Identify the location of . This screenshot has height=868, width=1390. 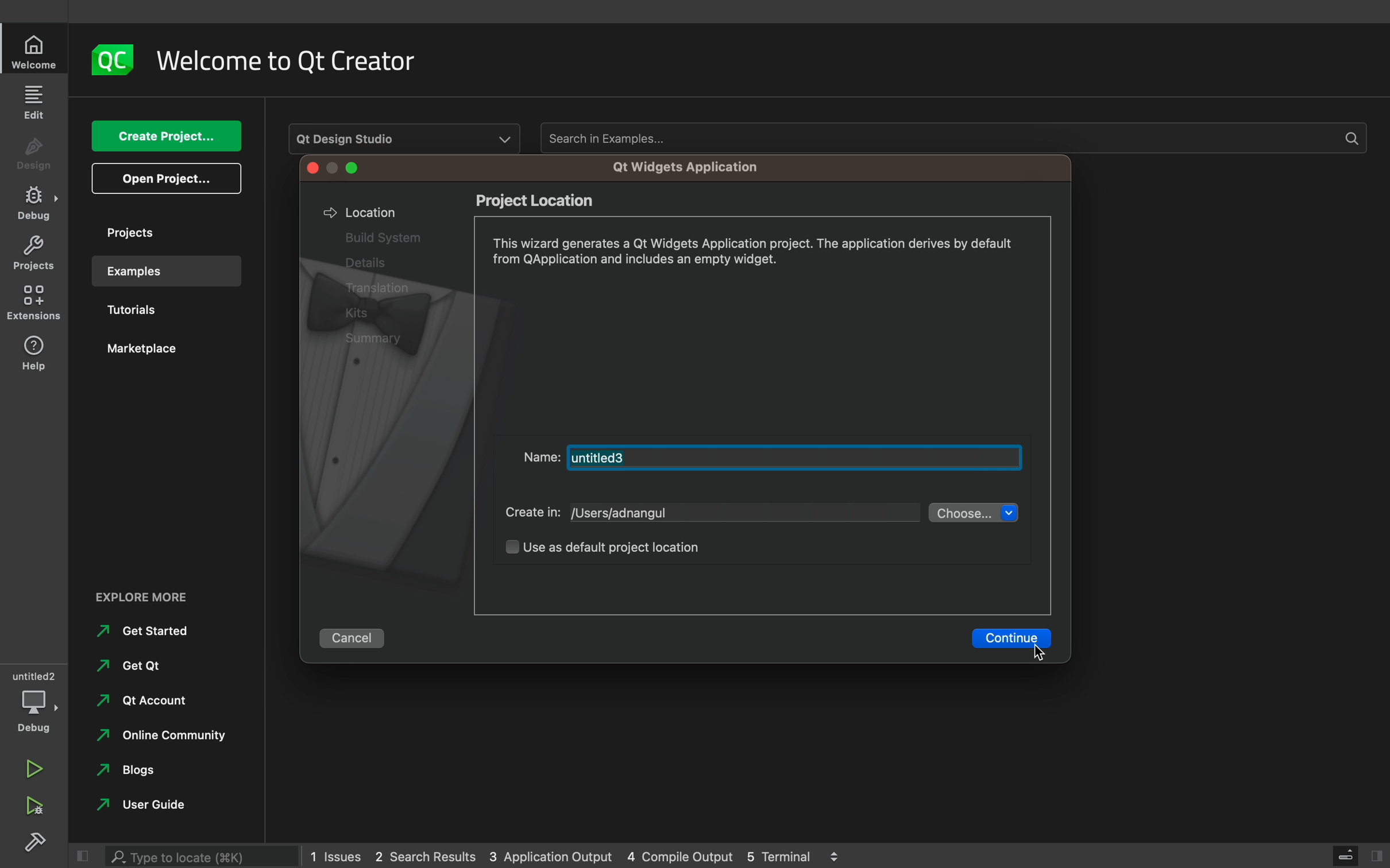
(144, 632).